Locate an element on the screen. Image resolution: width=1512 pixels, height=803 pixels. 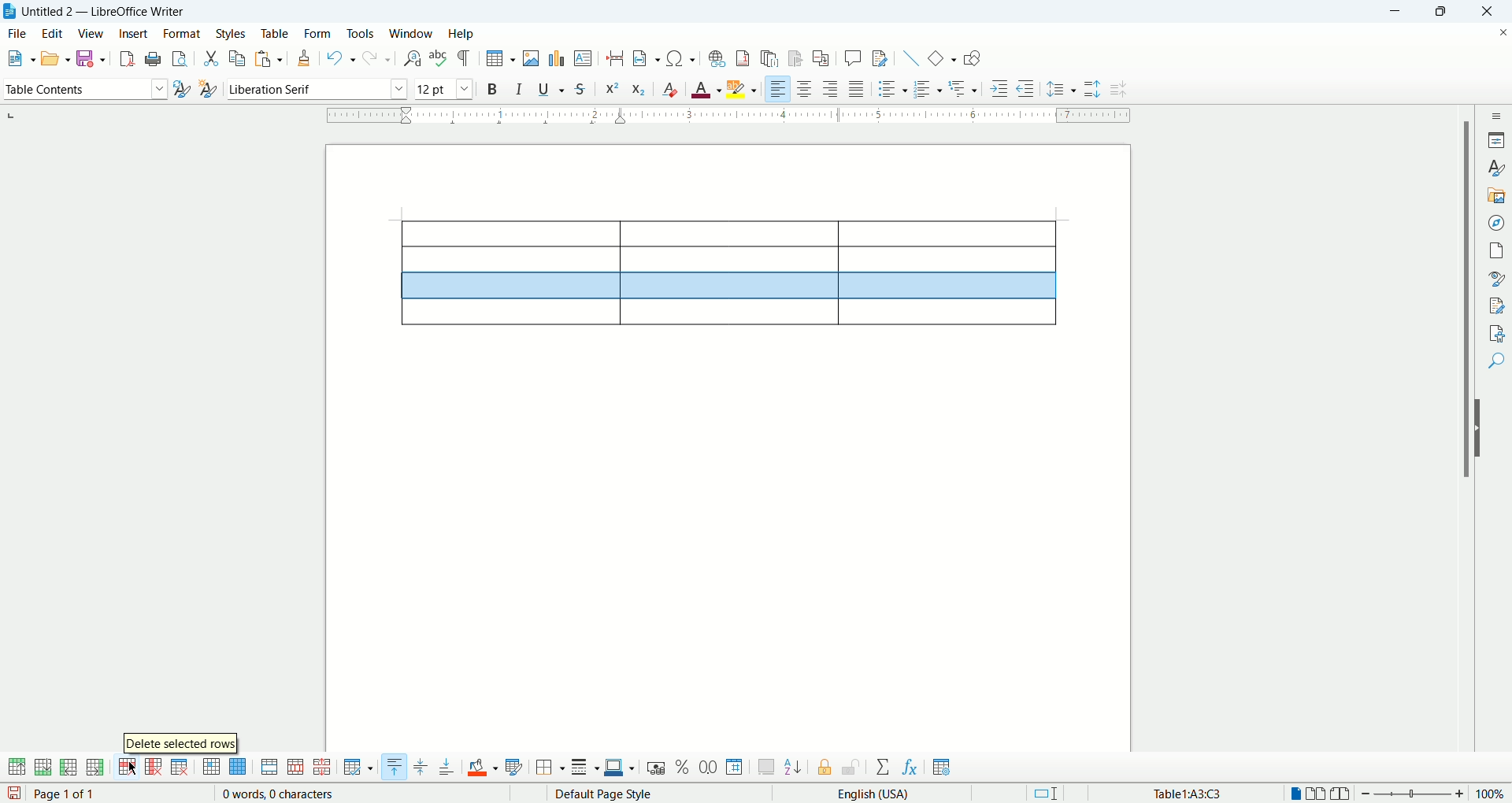
maximize is located at coordinates (1437, 14).